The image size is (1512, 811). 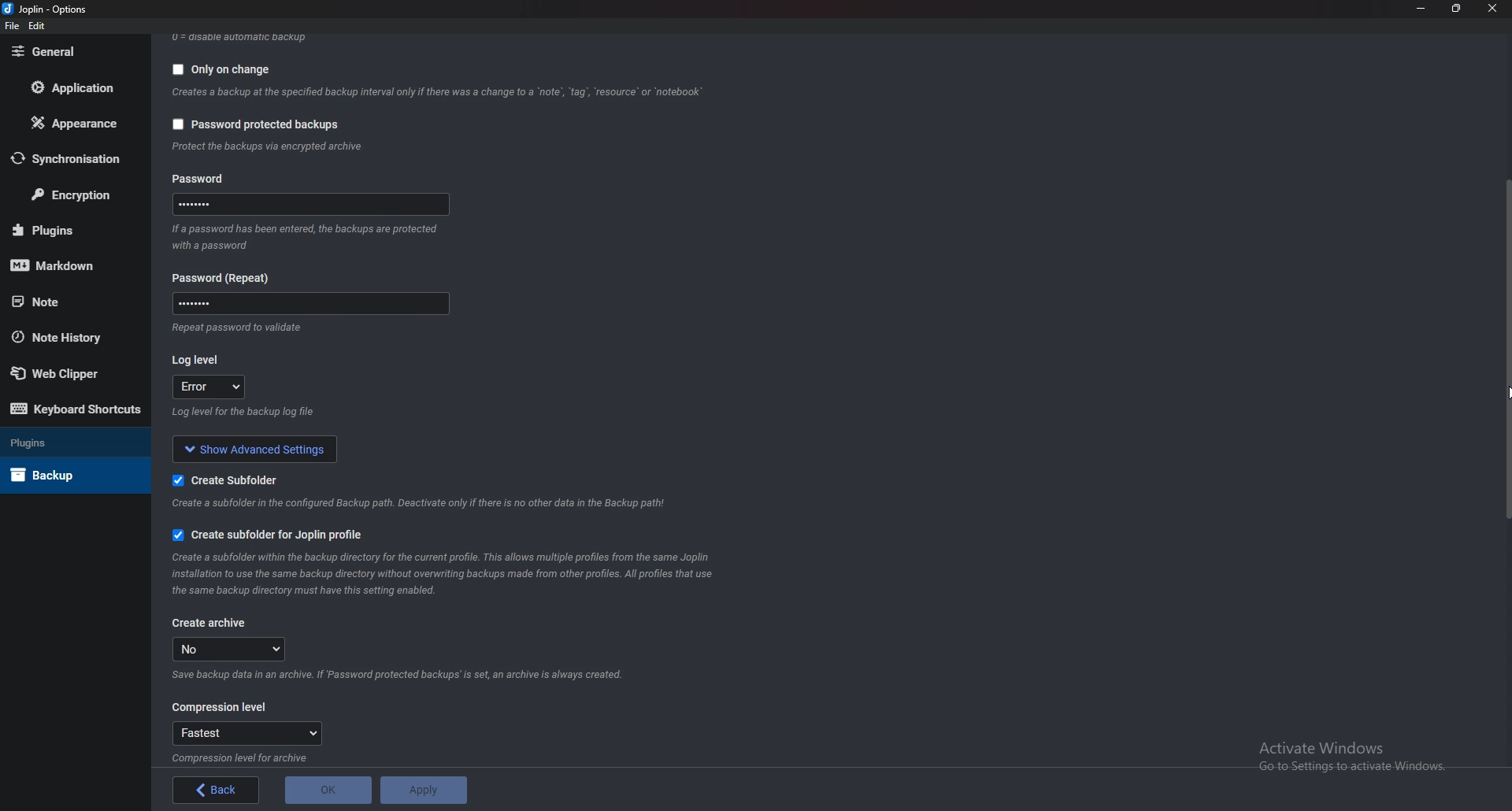 I want to click on Info on password, so click(x=306, y=239).